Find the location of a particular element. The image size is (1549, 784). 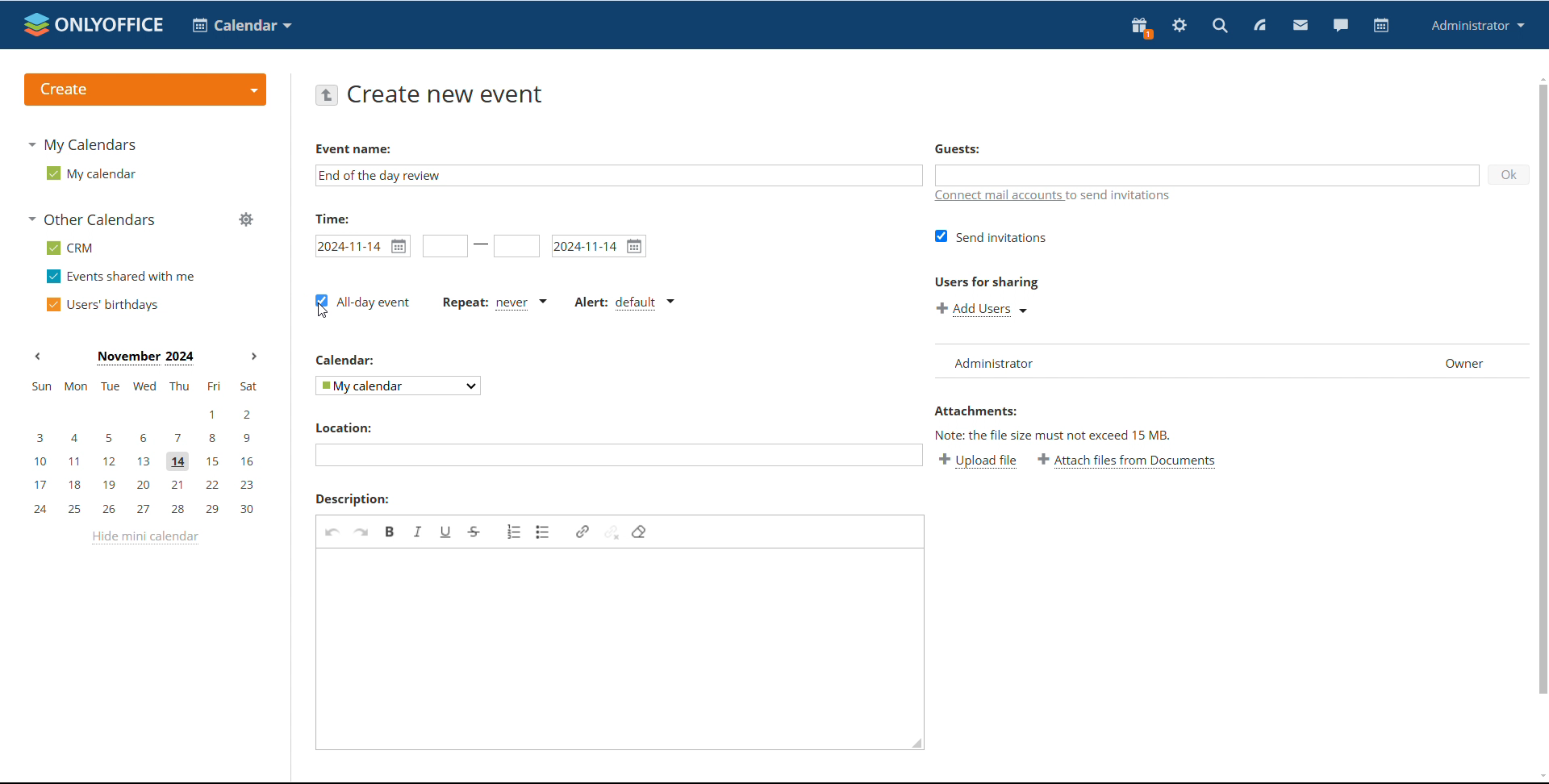

location is located at coordinates (342, 427).